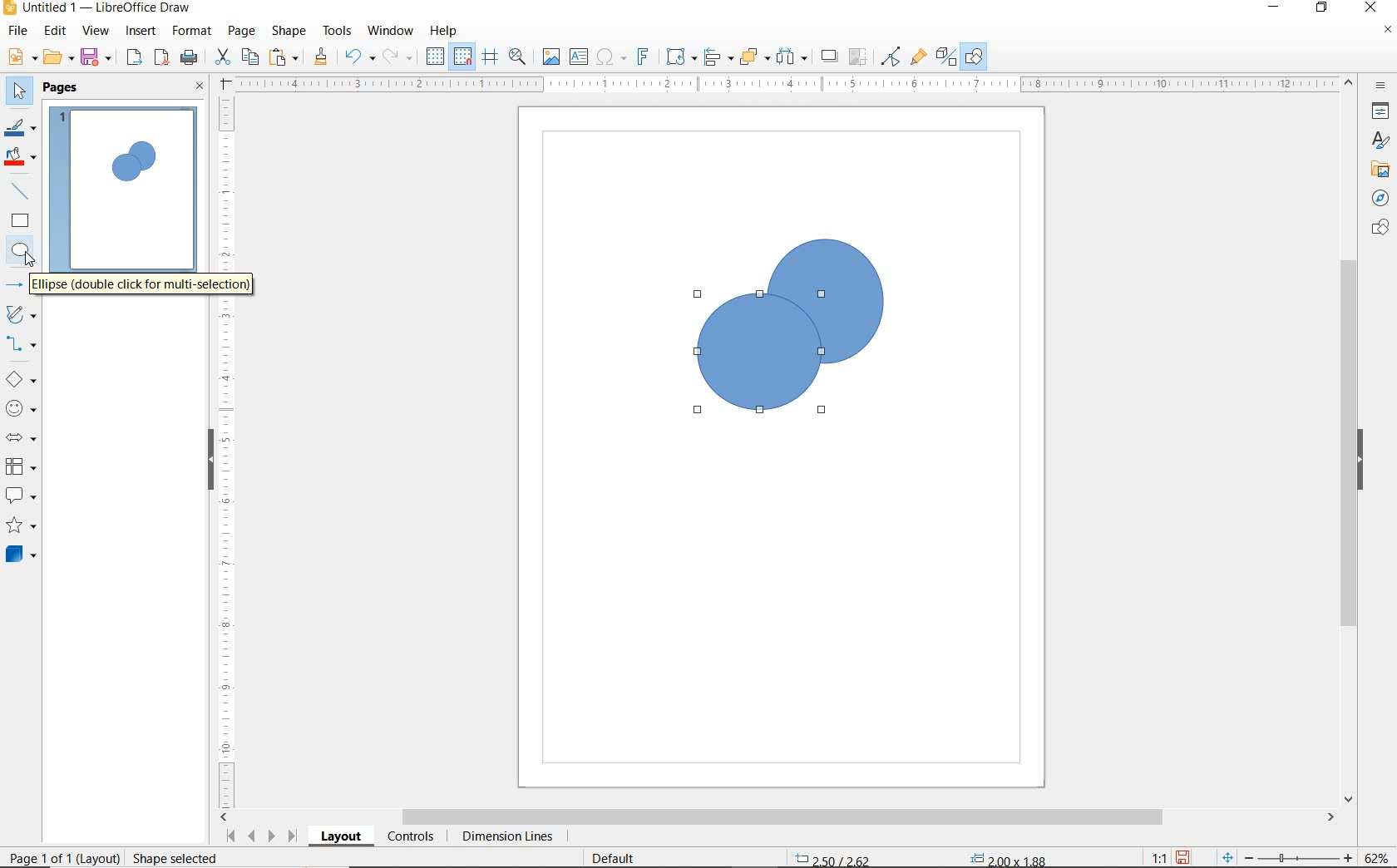  Describe the element at coordinates (699, 295) in the screenshot. I see `ELLIPSE TOOL AT DRAG` at that location.